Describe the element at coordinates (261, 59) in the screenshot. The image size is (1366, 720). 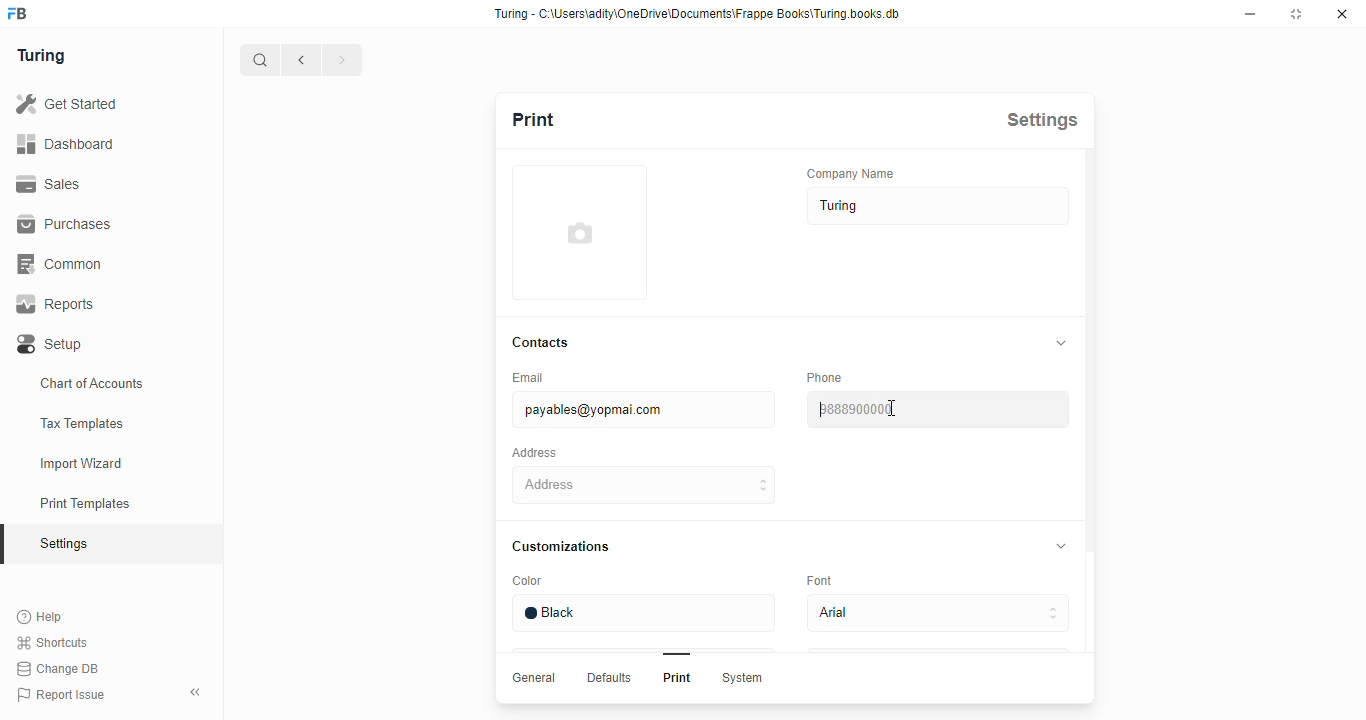
I see `search ` at that location.